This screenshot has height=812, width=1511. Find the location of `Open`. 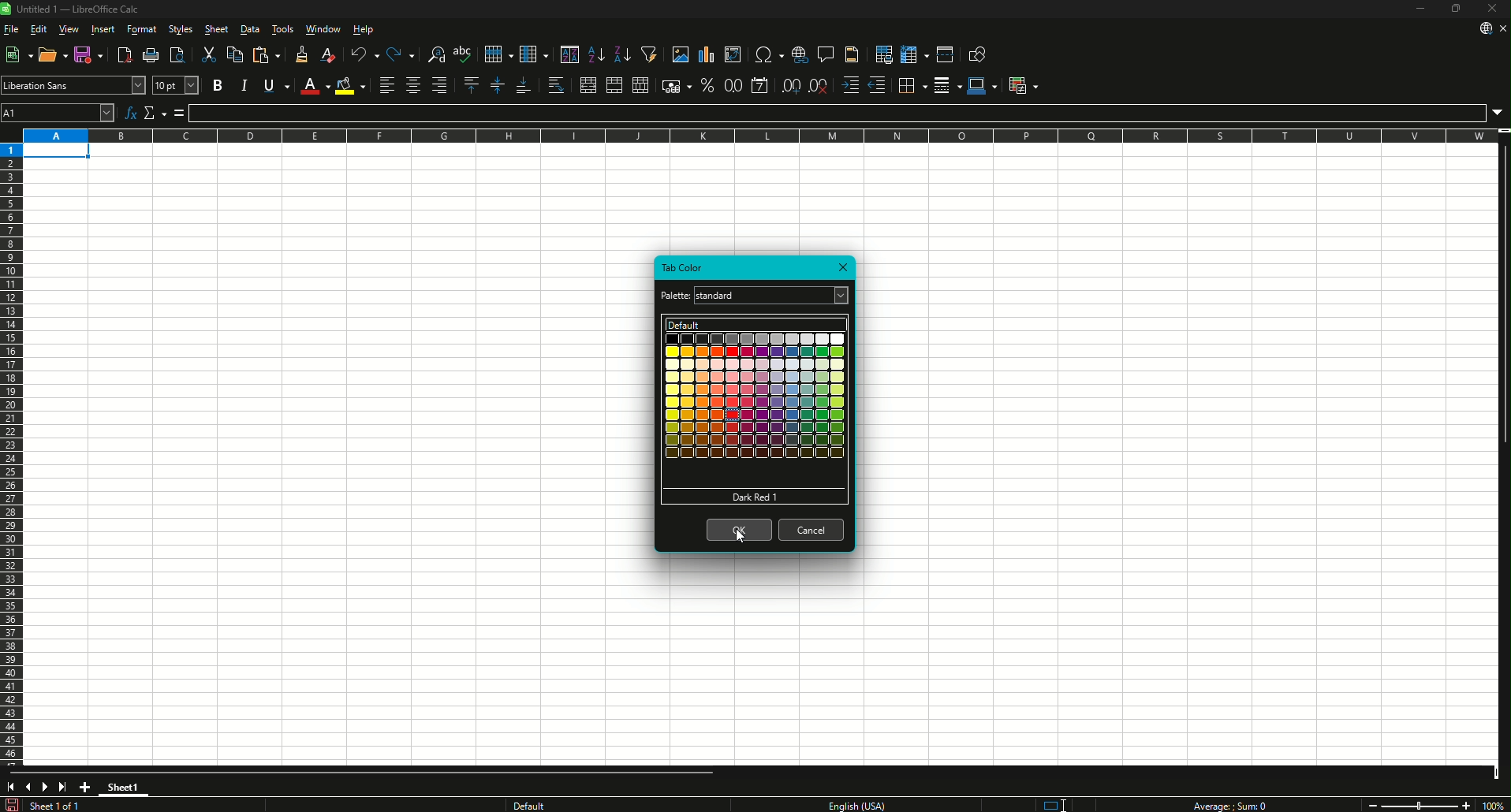

Open is located at coordinates (53, 54).